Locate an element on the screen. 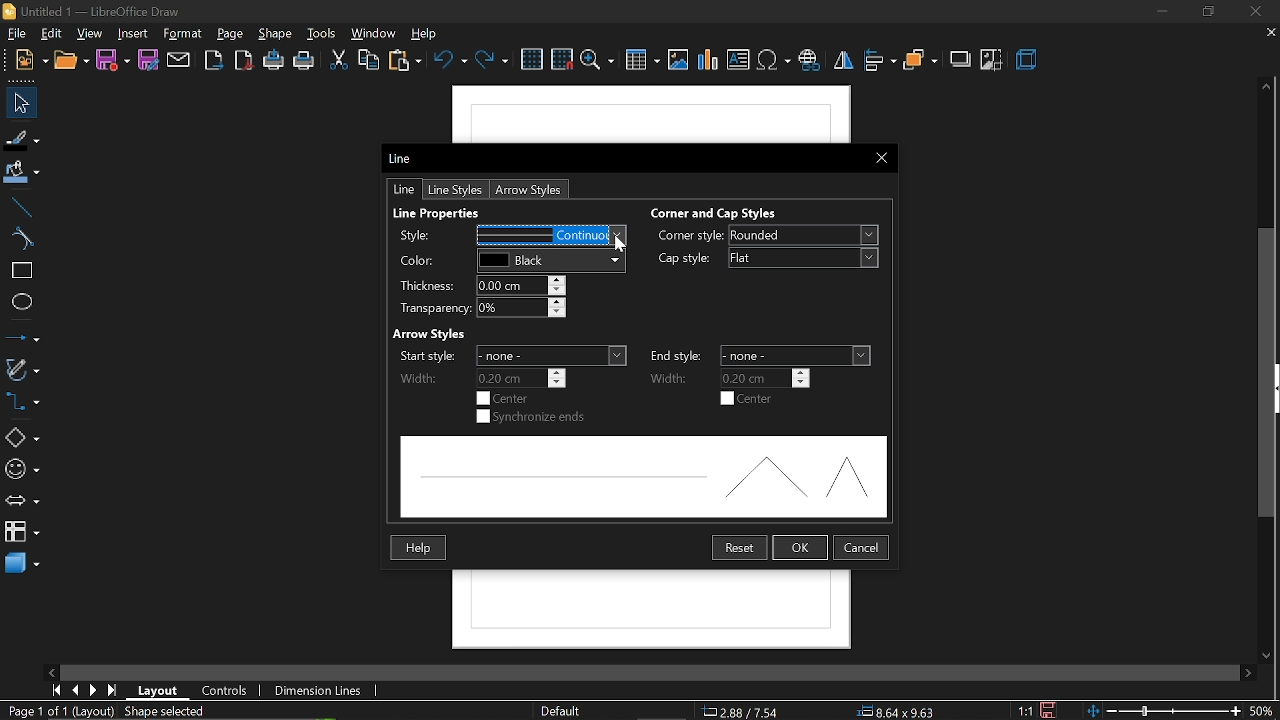 The image size is (1280, 720). insert chart is located at coordinates (706, 60).